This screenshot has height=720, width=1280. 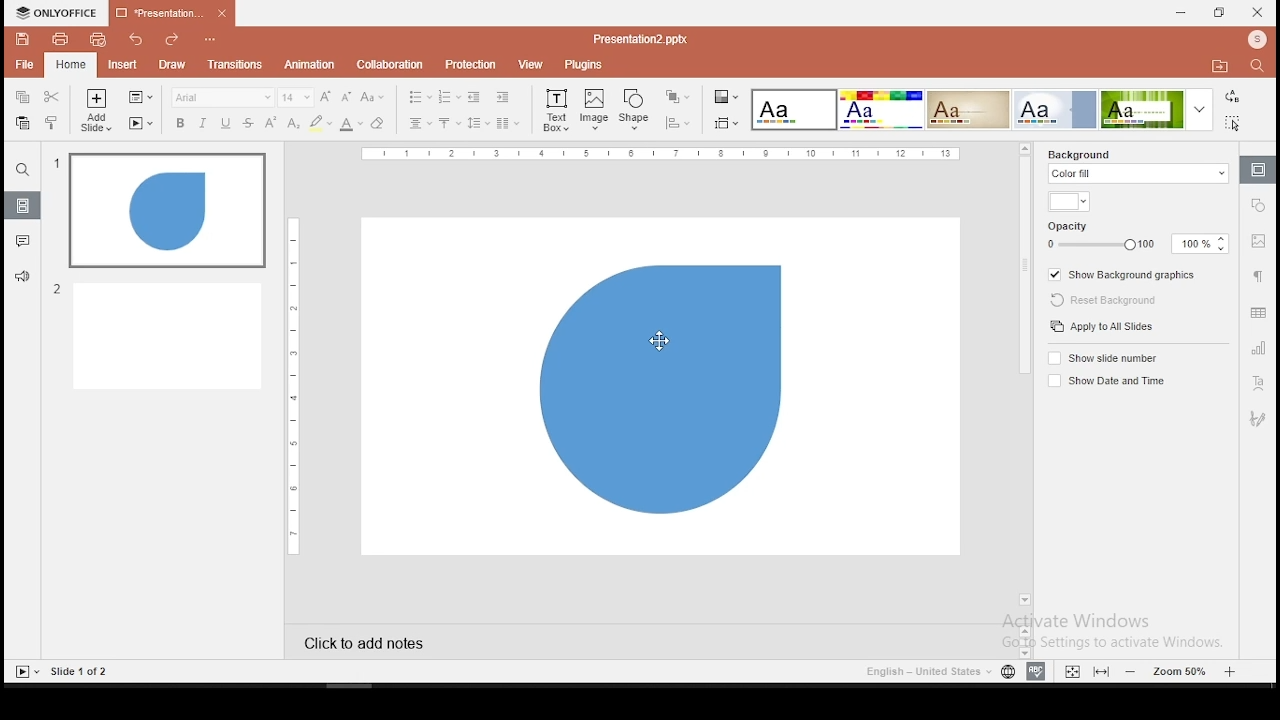 What do you see at coordinates (249, 122) in the screenshot?
I see `strikethrough` at bounding box center [249, 122].